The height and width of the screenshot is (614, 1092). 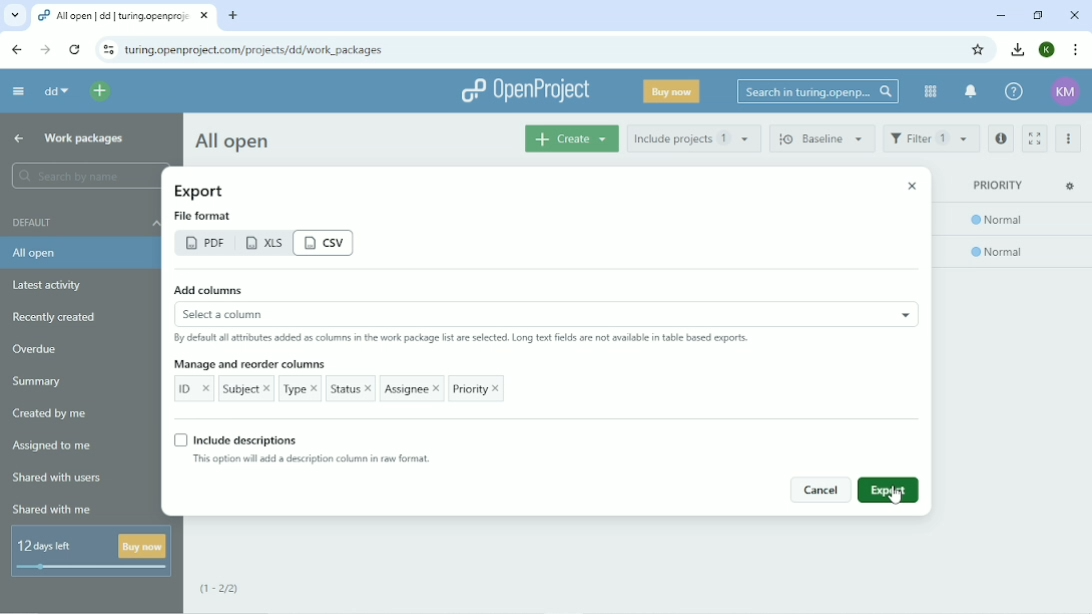 What do you see at coordinates (312, 462) in the screenshot?
I see `This option will add a description column in new format` at bounding box center [312, 462].